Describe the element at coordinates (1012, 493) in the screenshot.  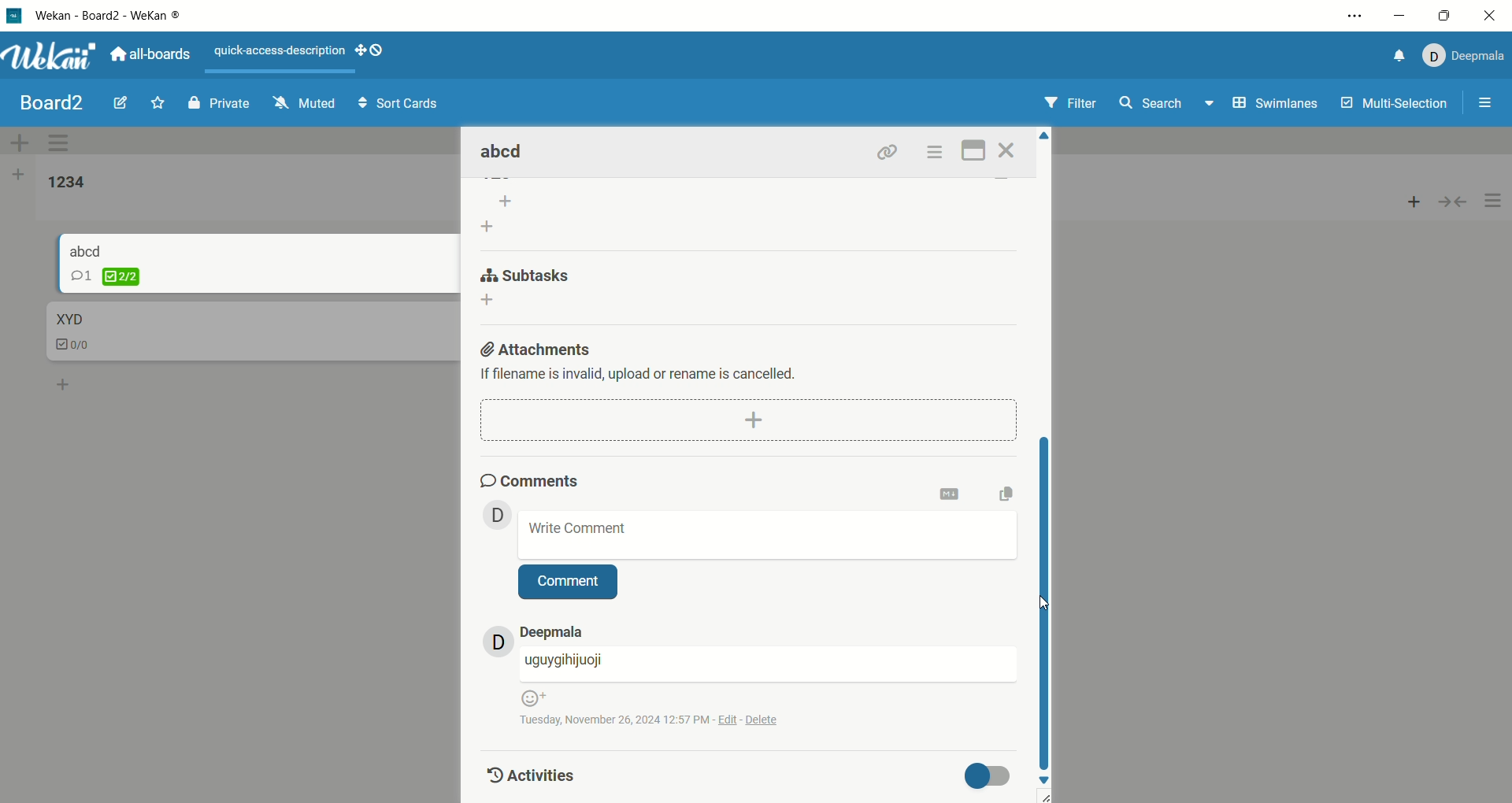
I see `copy` at that location.